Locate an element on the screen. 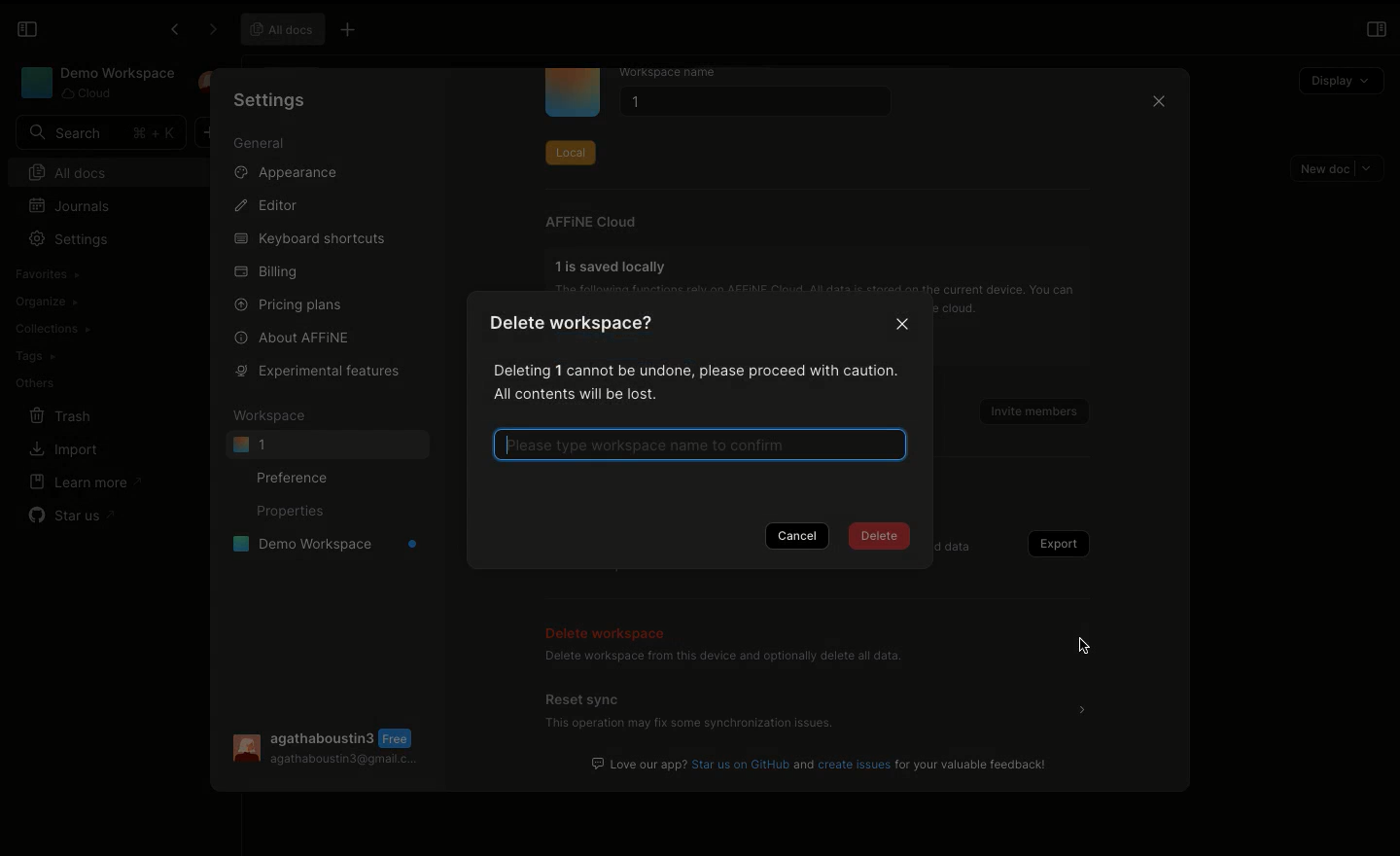  Organize is located at coordinates (49, 301).